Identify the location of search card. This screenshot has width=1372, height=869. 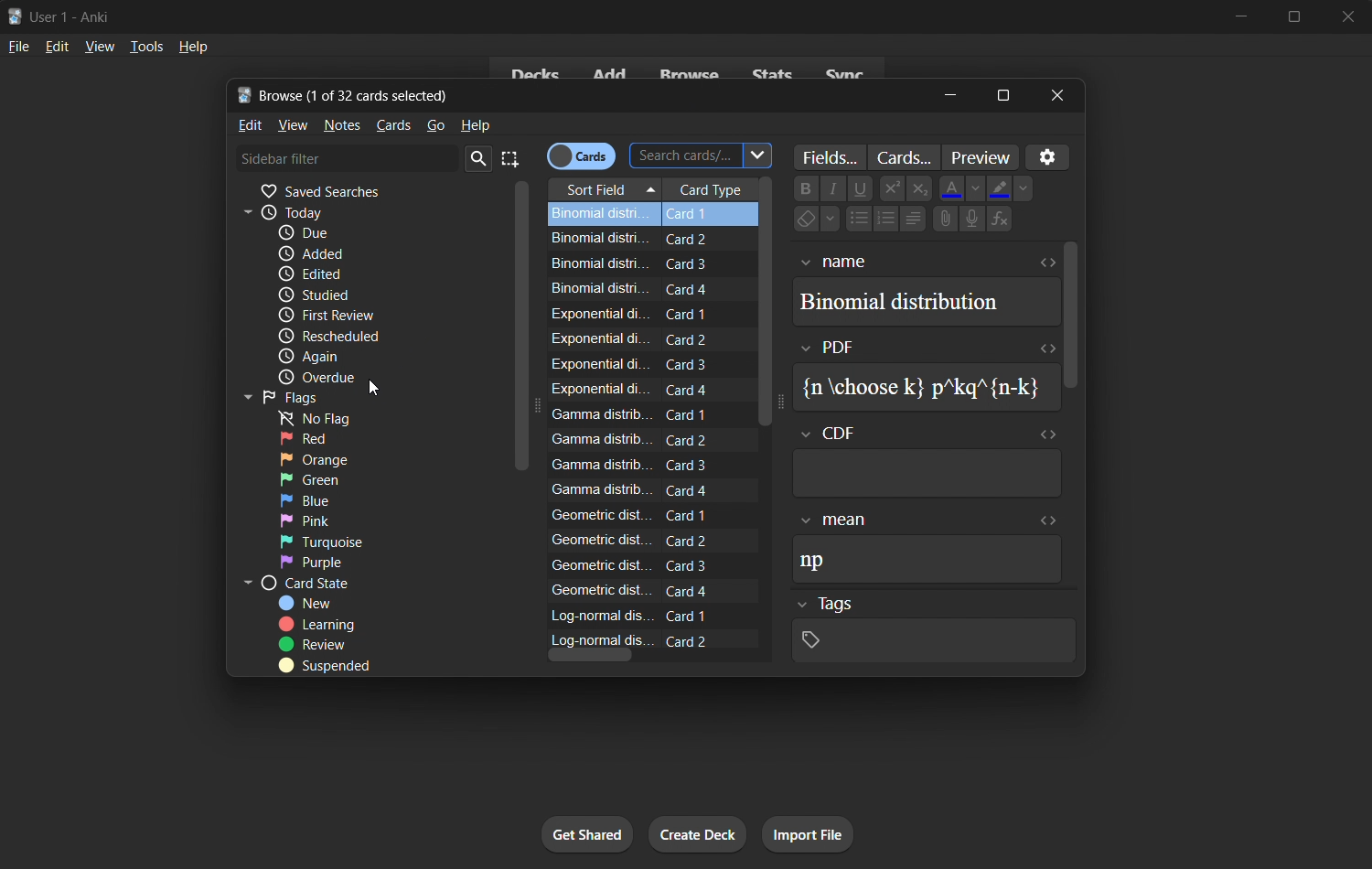
(682, 156).